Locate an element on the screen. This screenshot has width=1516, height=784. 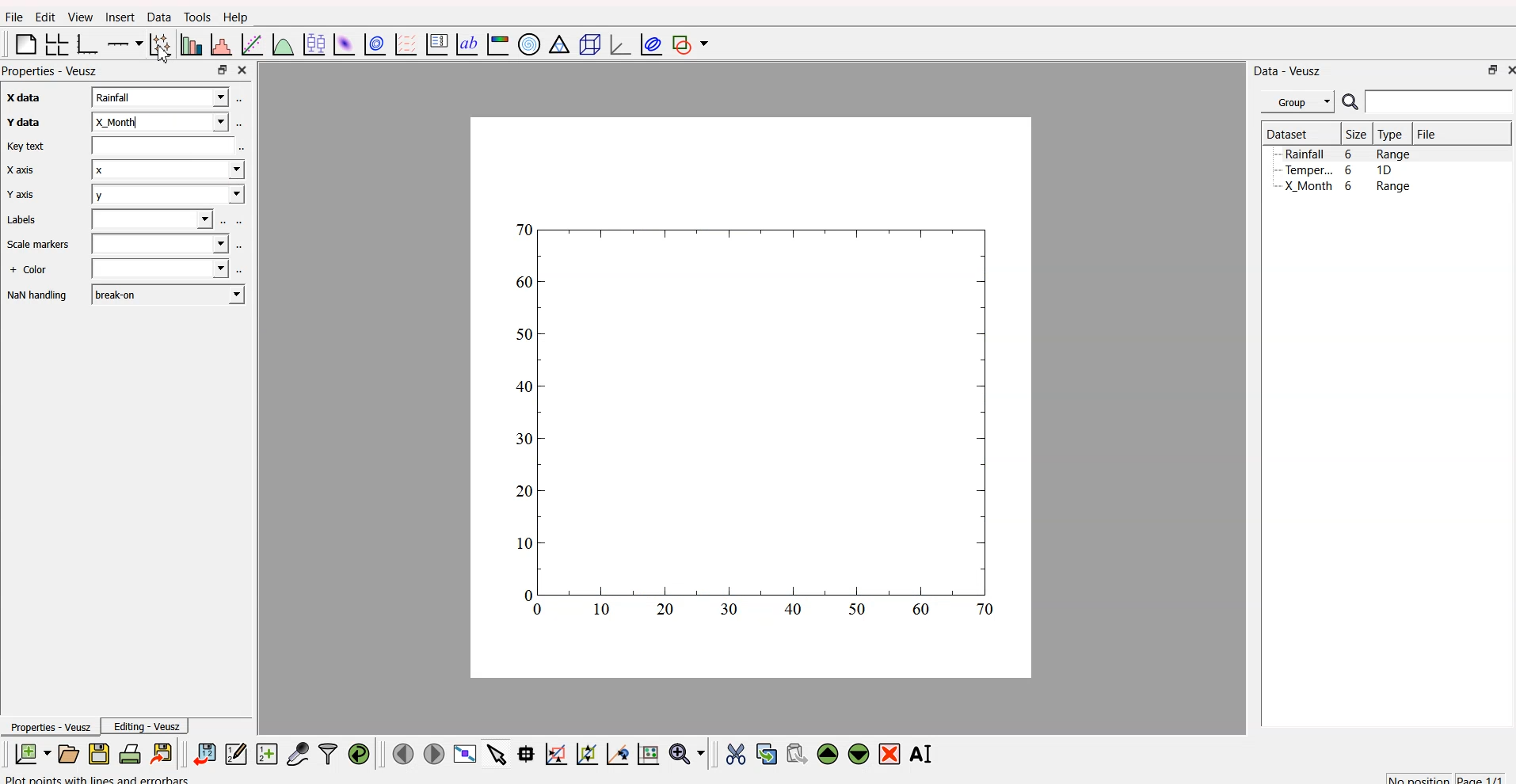
image color bar  is located at coordinates (497, 44).